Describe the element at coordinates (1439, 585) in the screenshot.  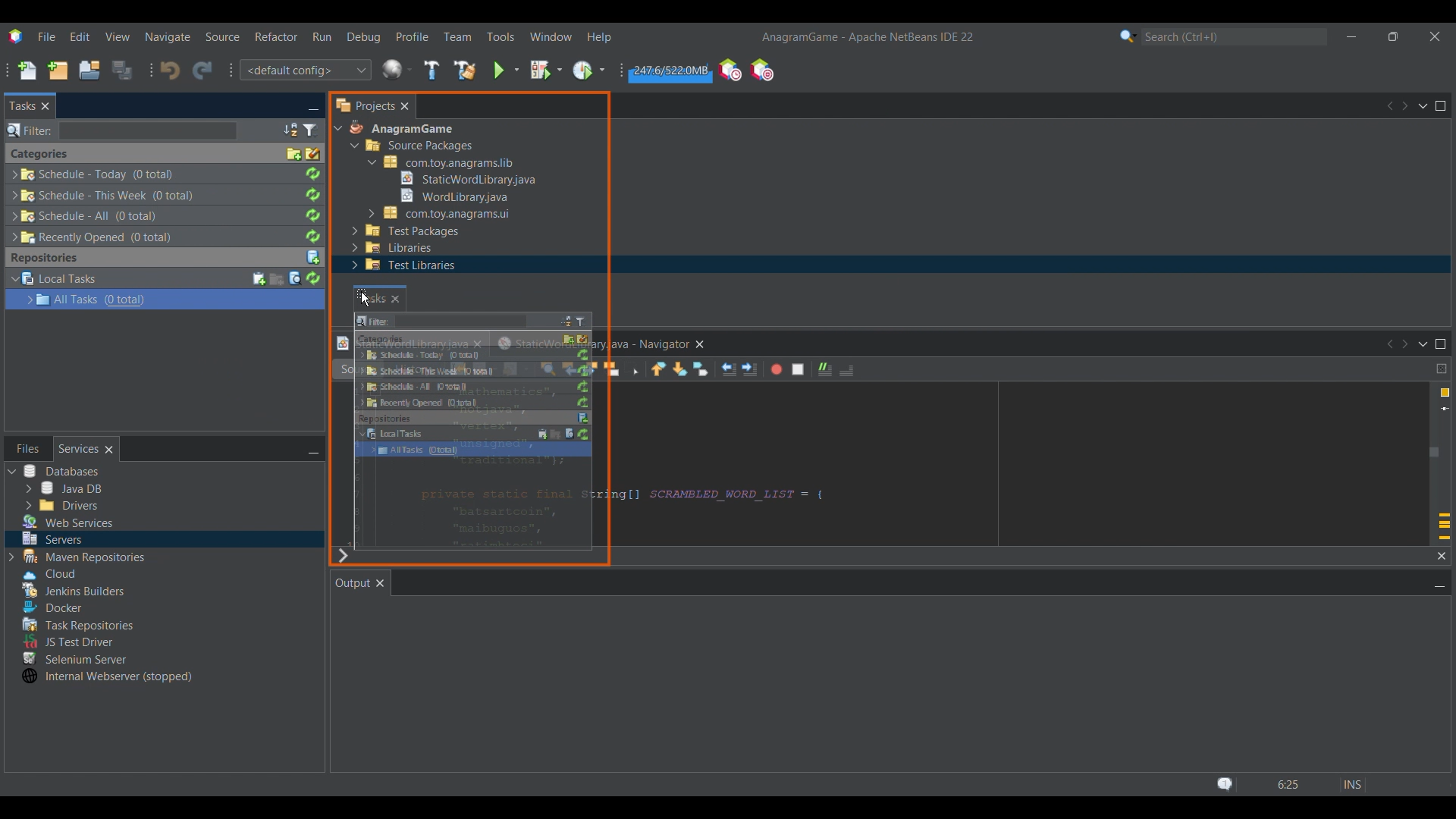
I see `Minimize` at that location.